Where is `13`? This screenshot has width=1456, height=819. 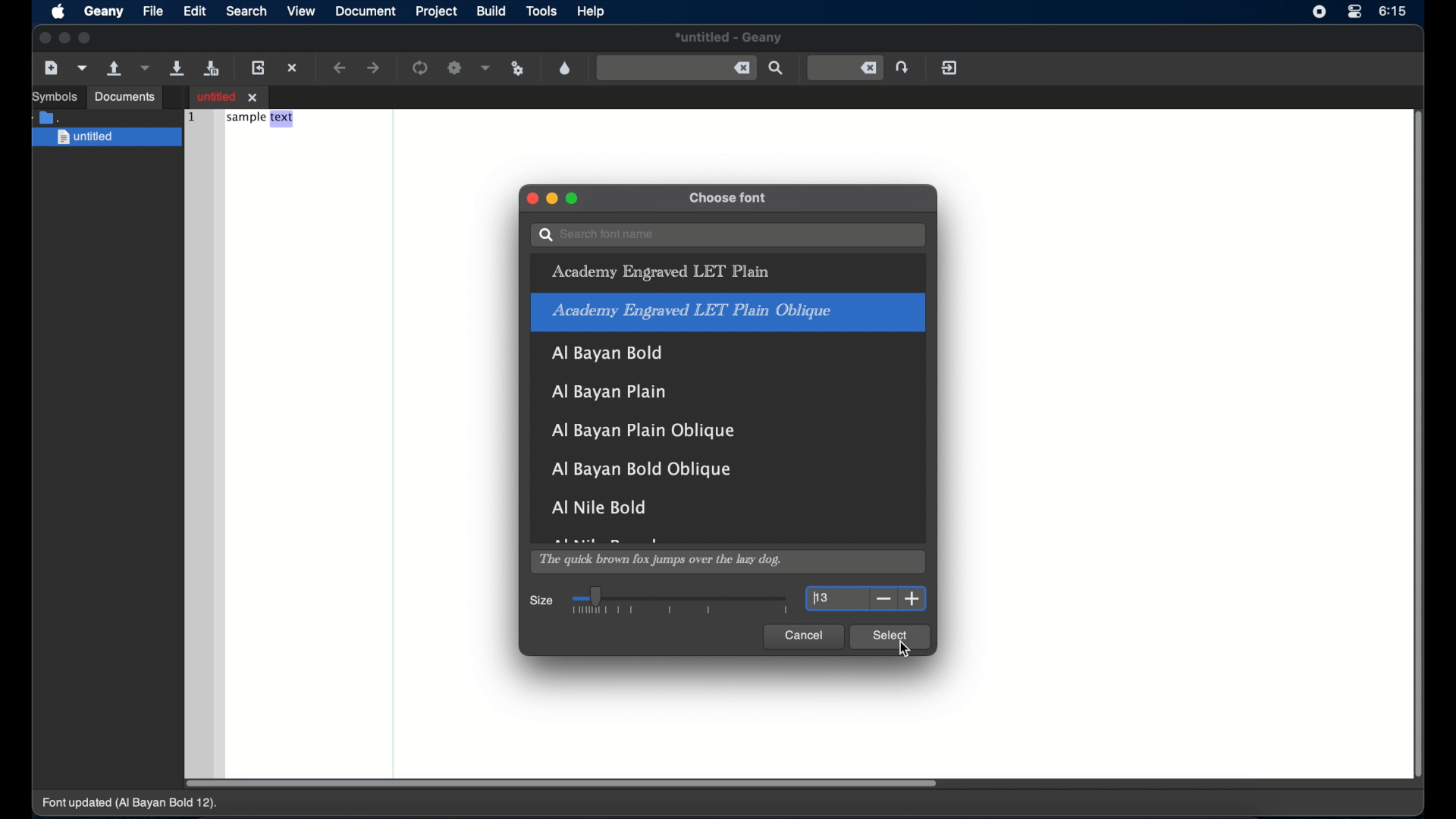 13 is located at coordinates (821, 598).